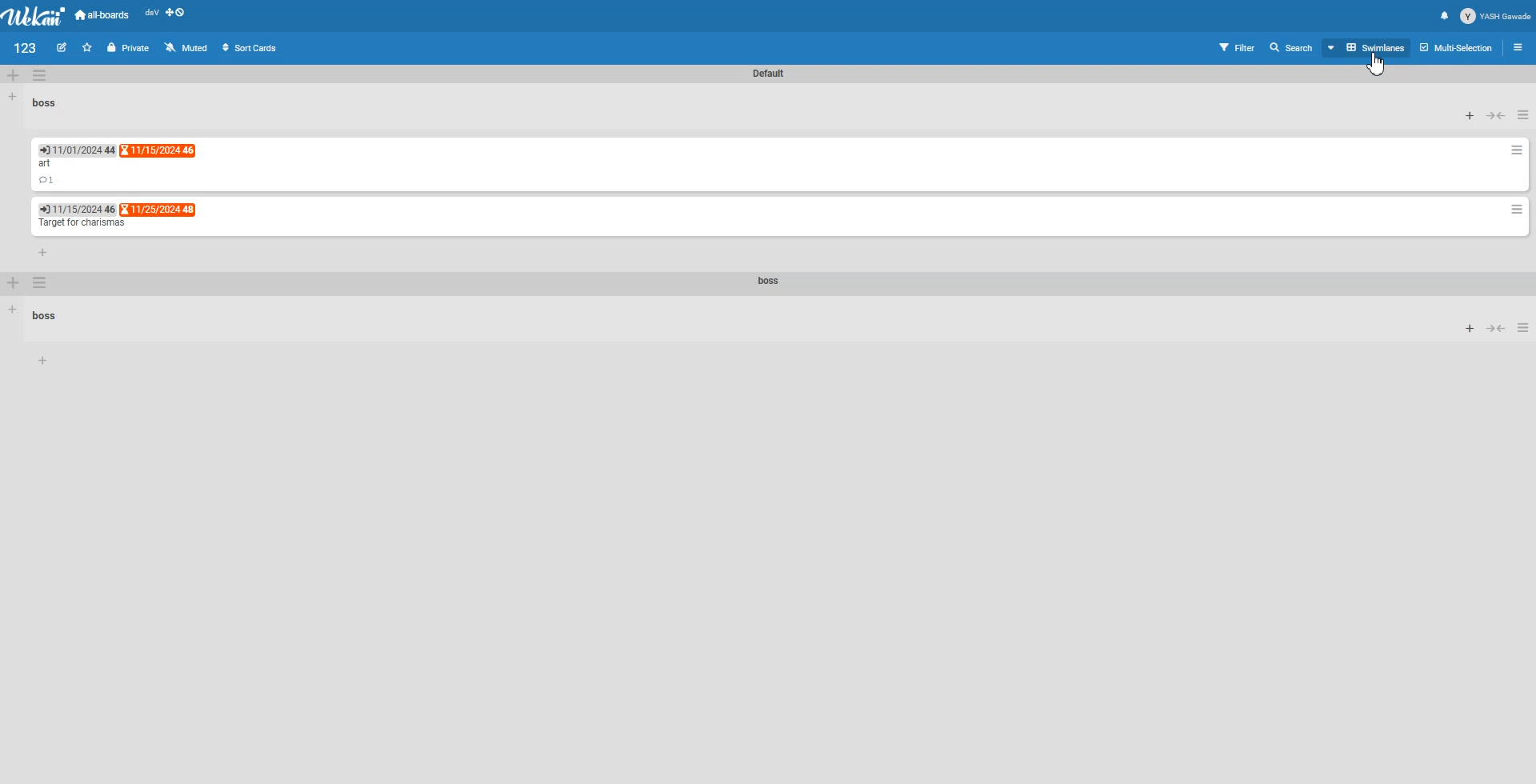  I want to click on Multi selection, so click(1458, 47).